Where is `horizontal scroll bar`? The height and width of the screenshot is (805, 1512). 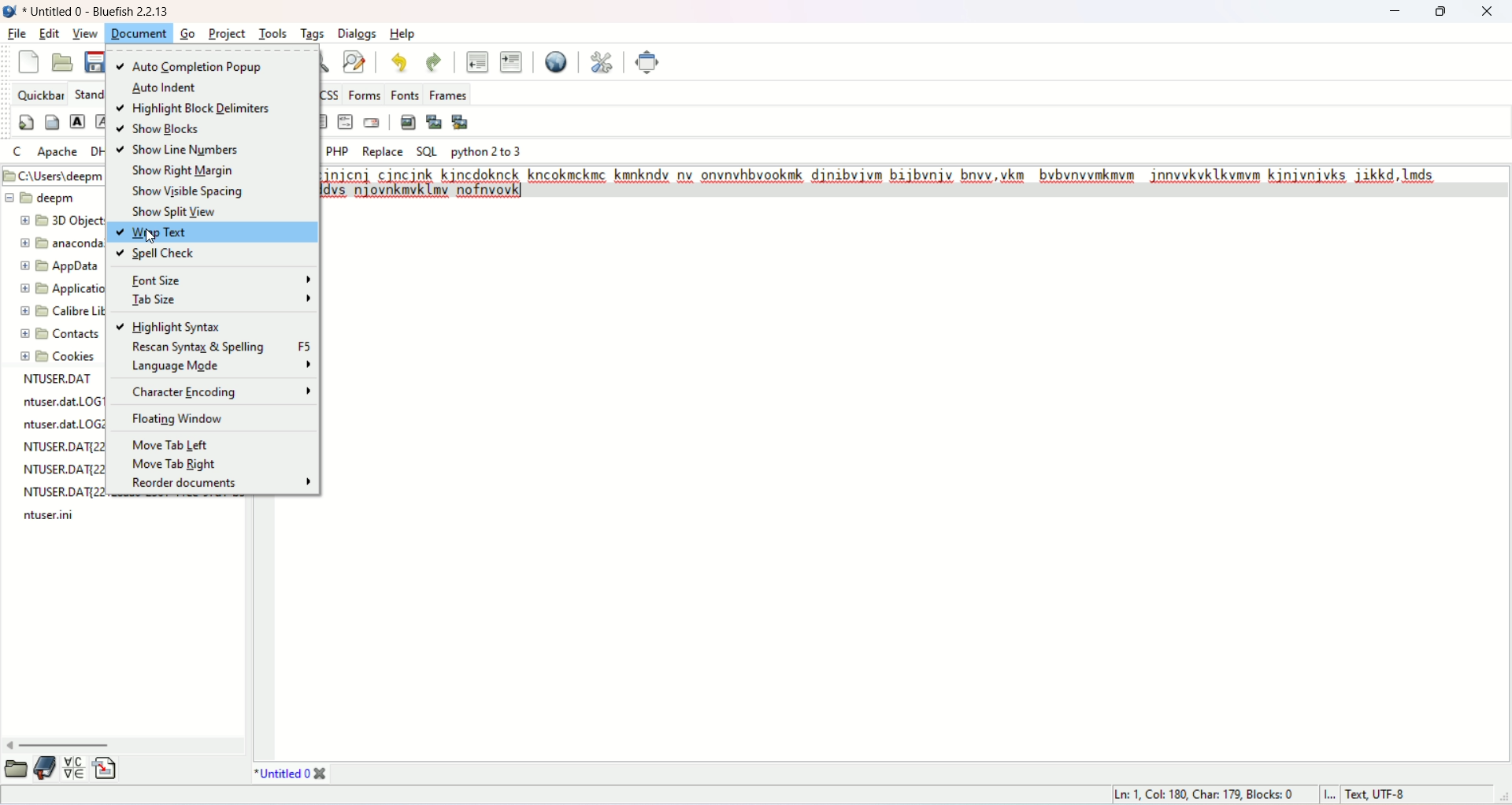
horizontal scroll bar is located at coordinates (124, 744).